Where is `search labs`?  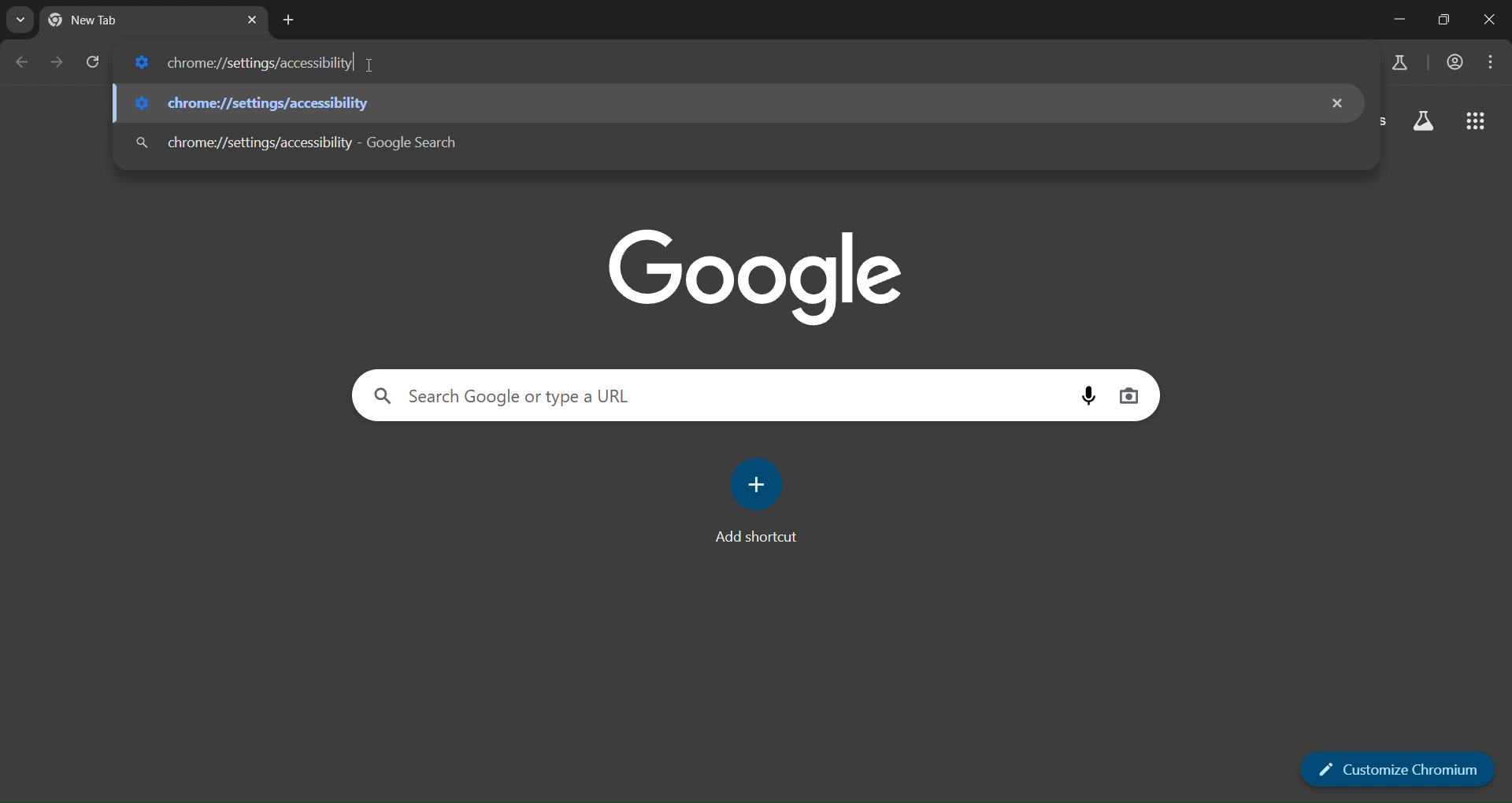
search labs is located at coordinates (1399, 65).